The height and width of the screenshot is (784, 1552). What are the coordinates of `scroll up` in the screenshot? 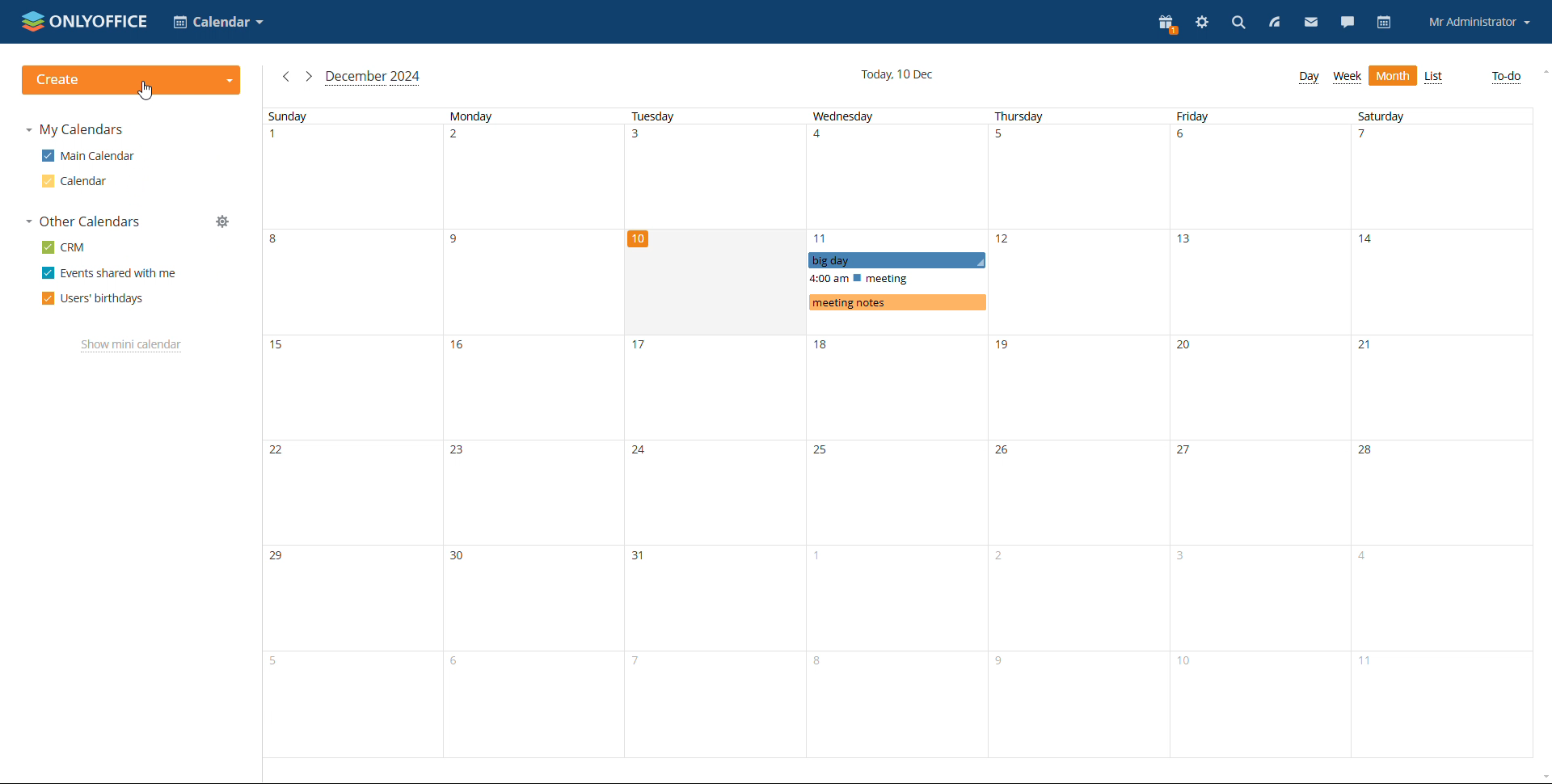 It's located at (1542, 70).